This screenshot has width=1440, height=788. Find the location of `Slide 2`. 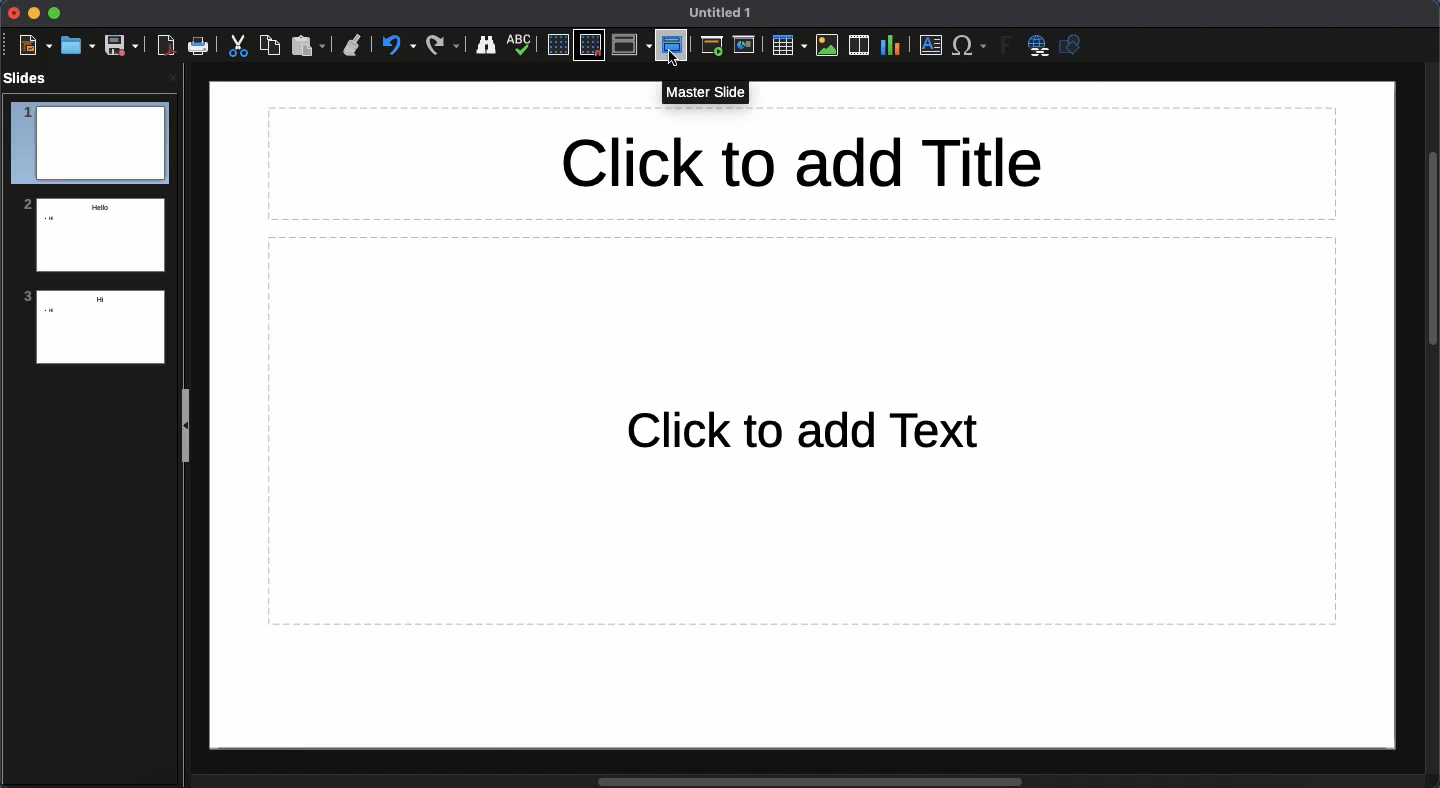

Slide 2 is located at coordinates (92, 234).